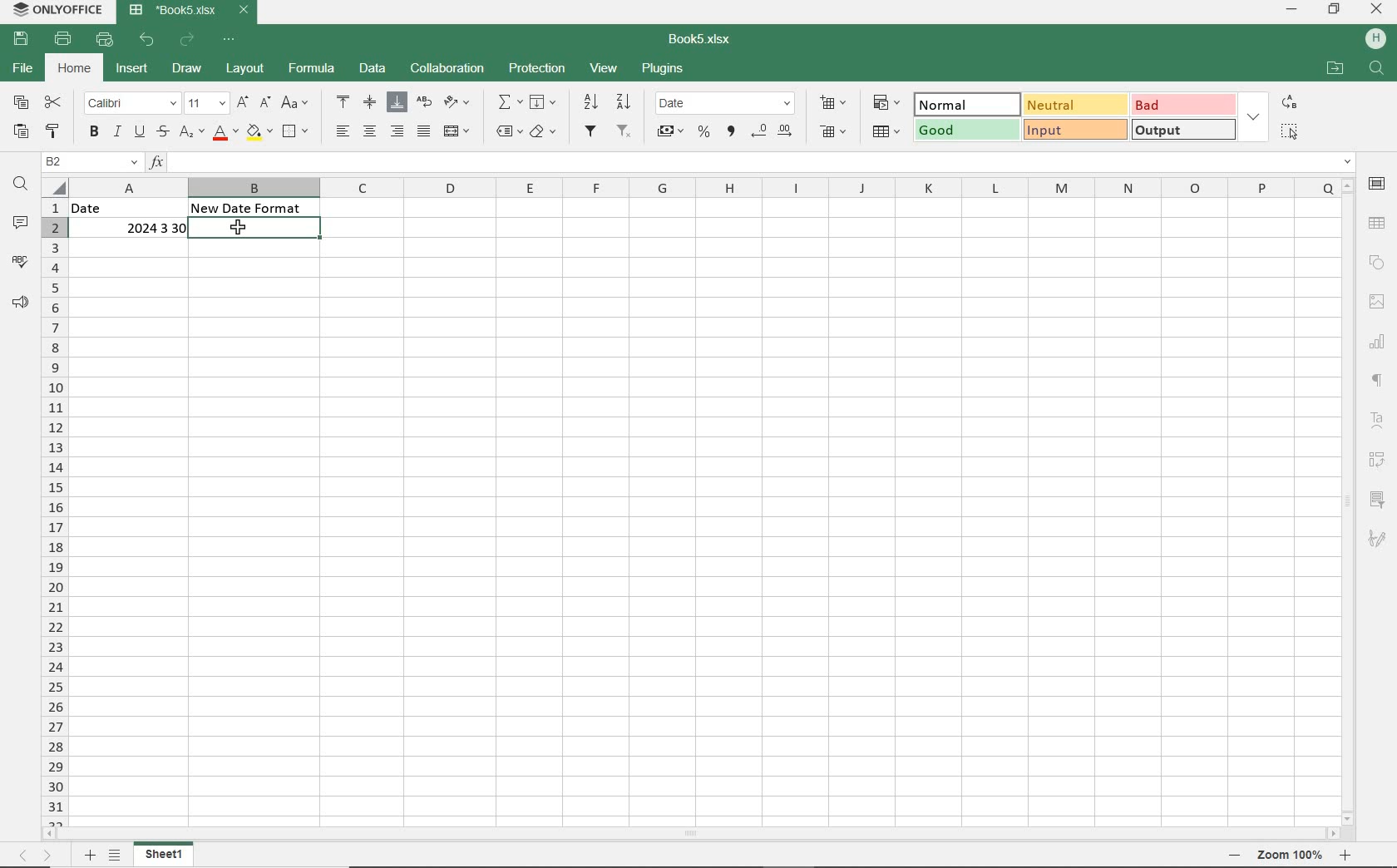  Describe the element at coordinates (188, 39) in the screenshot. I see `REDO` at that location.